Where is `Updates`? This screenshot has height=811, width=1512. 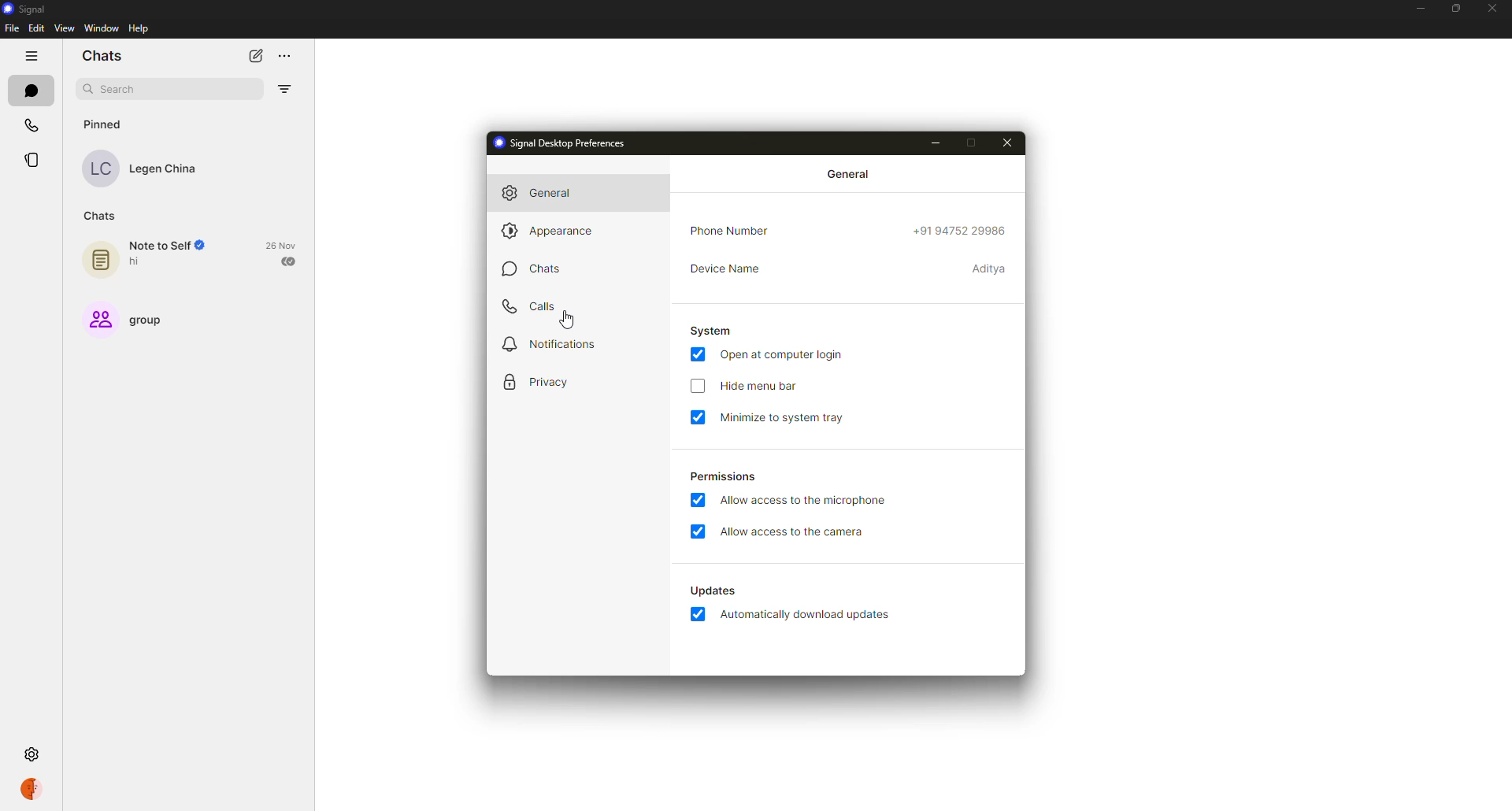 Updates is located at coordinates (716, 591).